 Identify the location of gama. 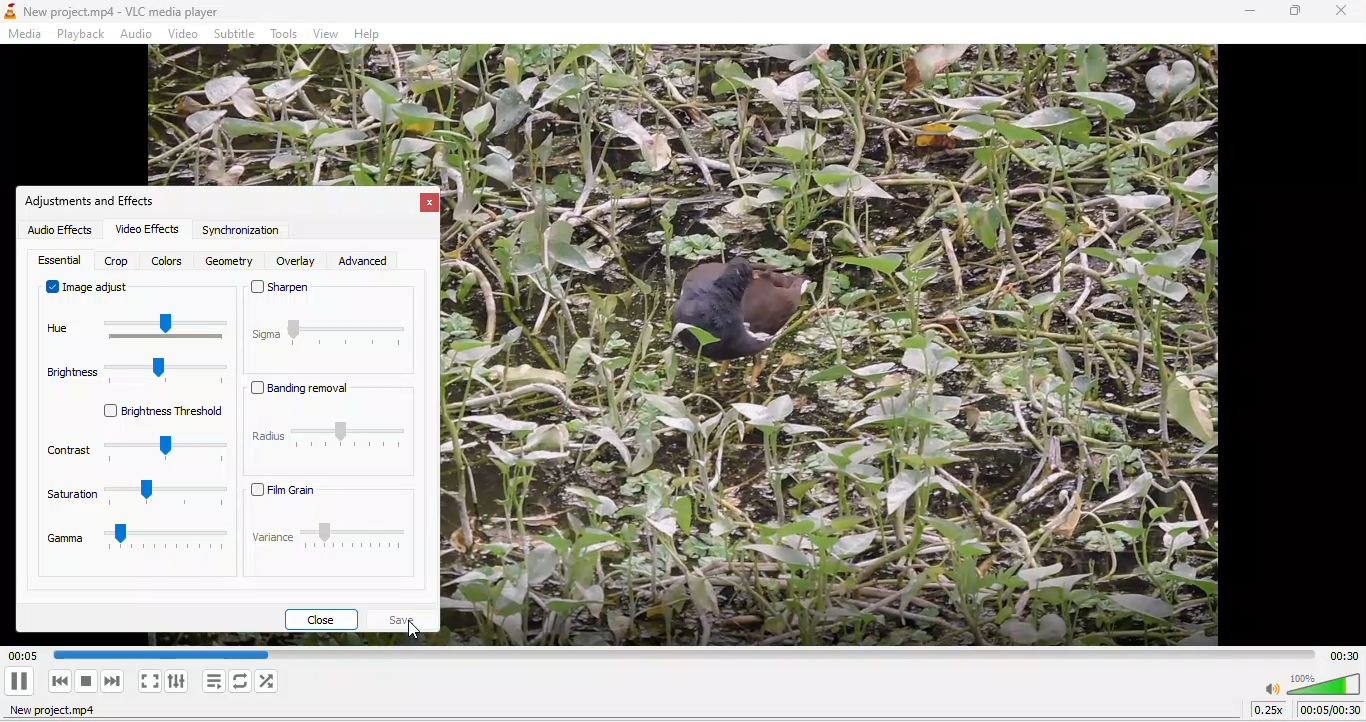
(134, 546).